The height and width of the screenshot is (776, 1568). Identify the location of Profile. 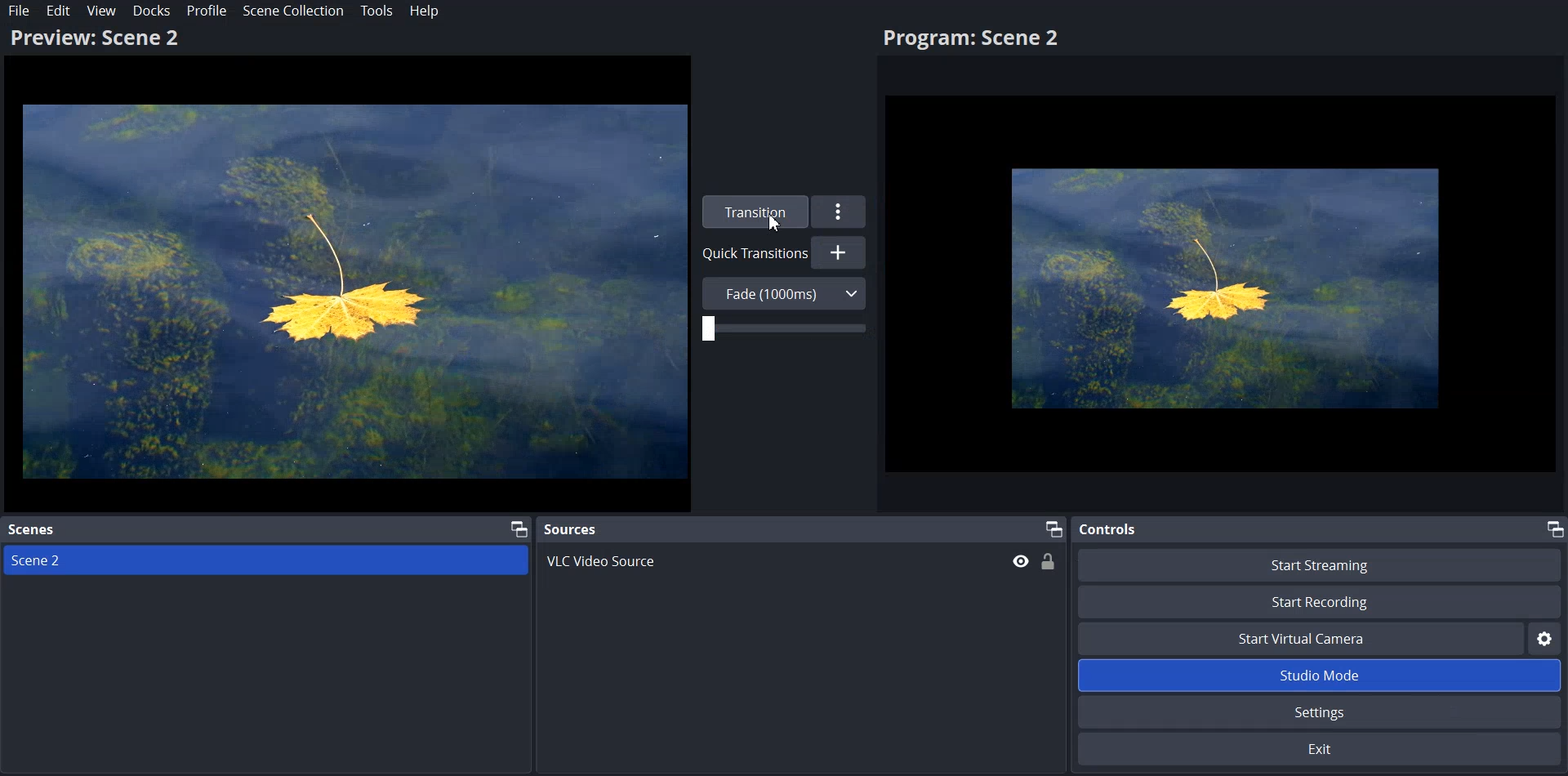
(207, 11).